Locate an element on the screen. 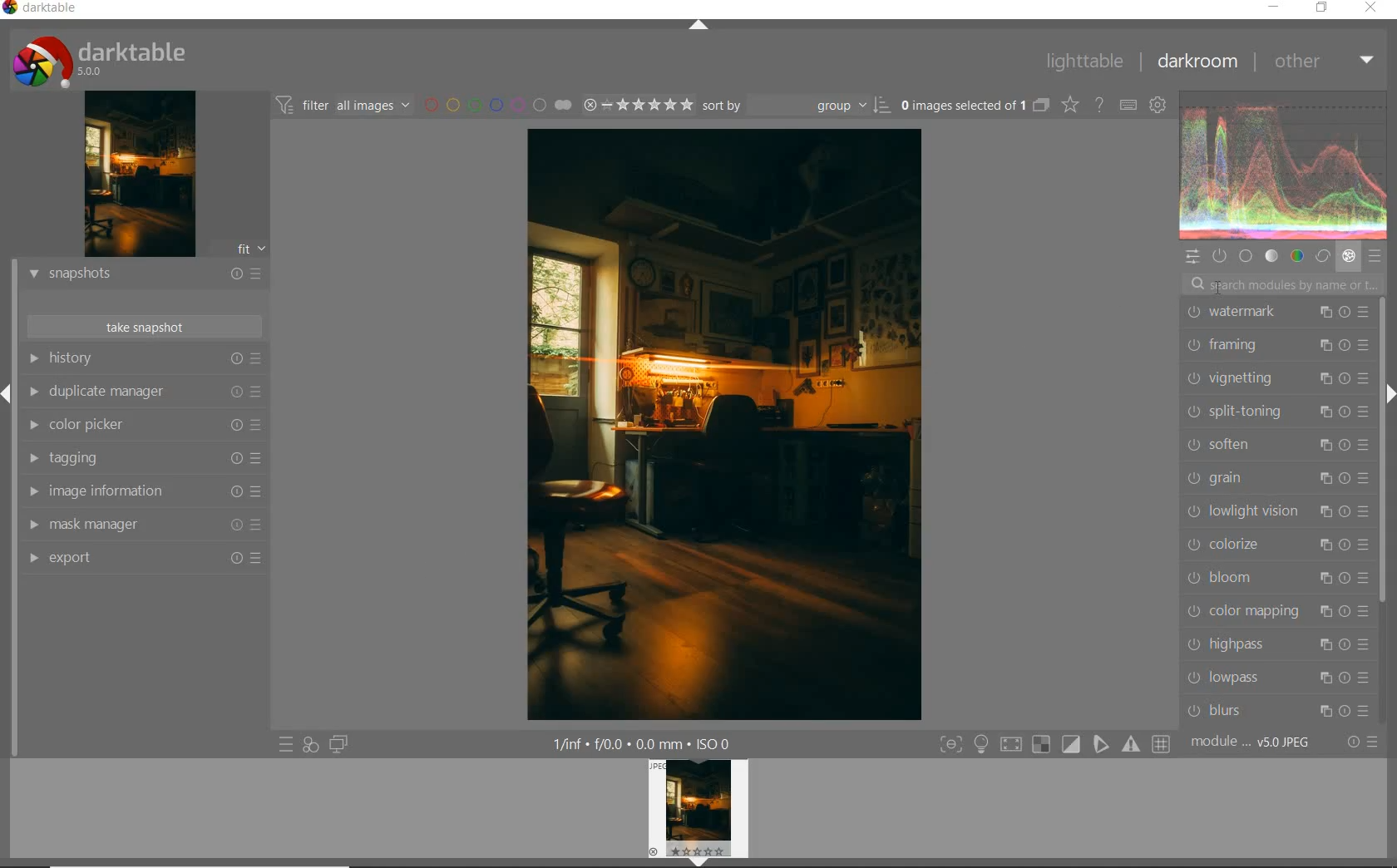  quick access panel is located at coordinates (1191, 257).